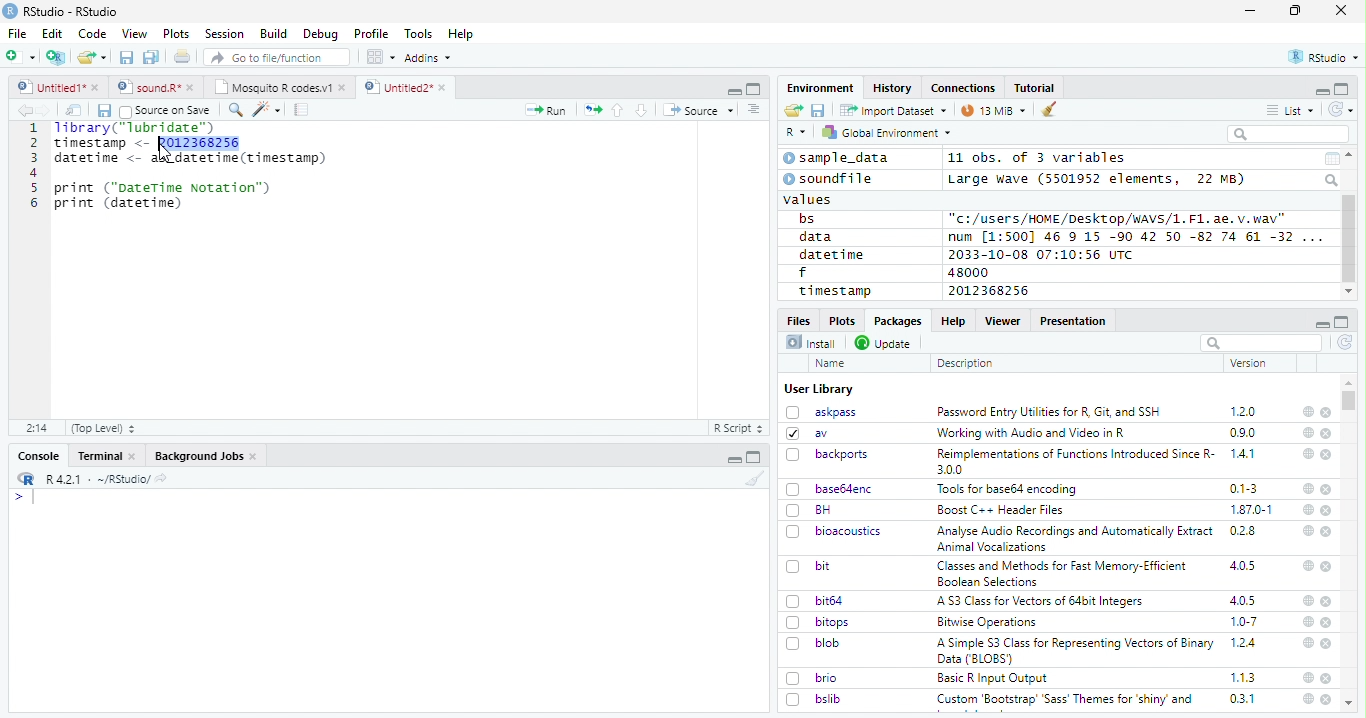  I want to click on RStudio - RStudio, so click(71, 11).